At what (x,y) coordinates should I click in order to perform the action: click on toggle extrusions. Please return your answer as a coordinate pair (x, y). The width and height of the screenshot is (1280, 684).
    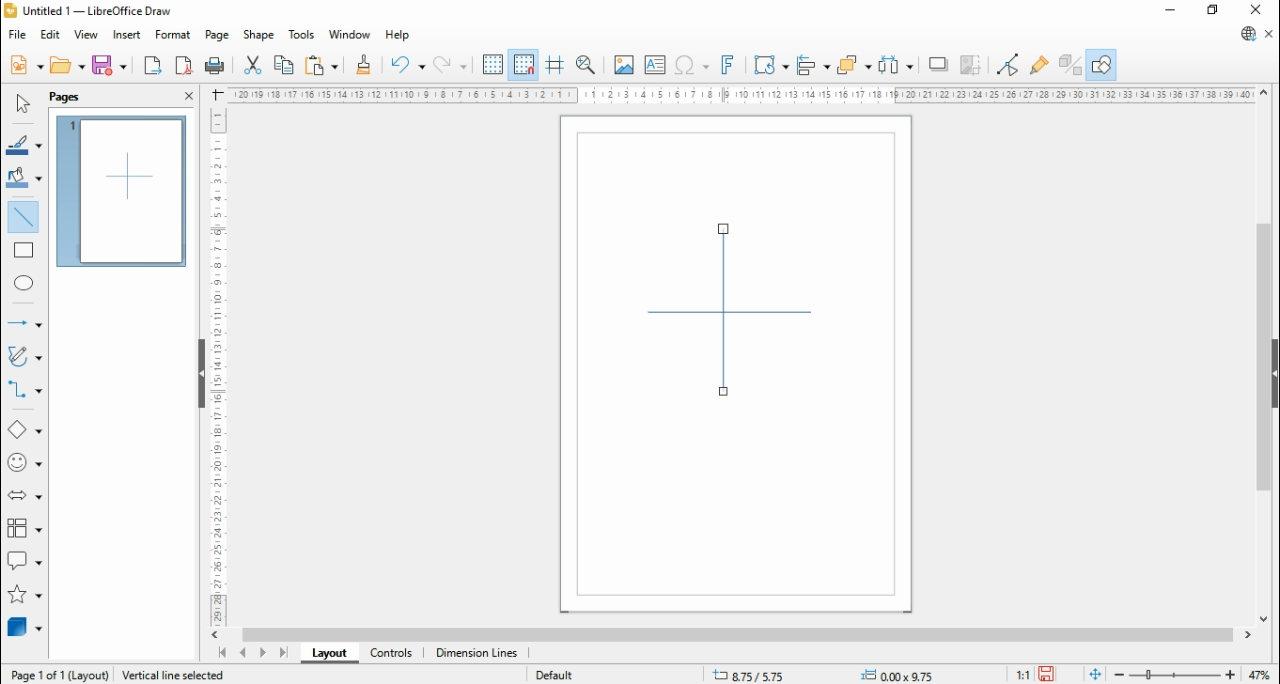
    Looking at the image, I should click on (1069, 64).